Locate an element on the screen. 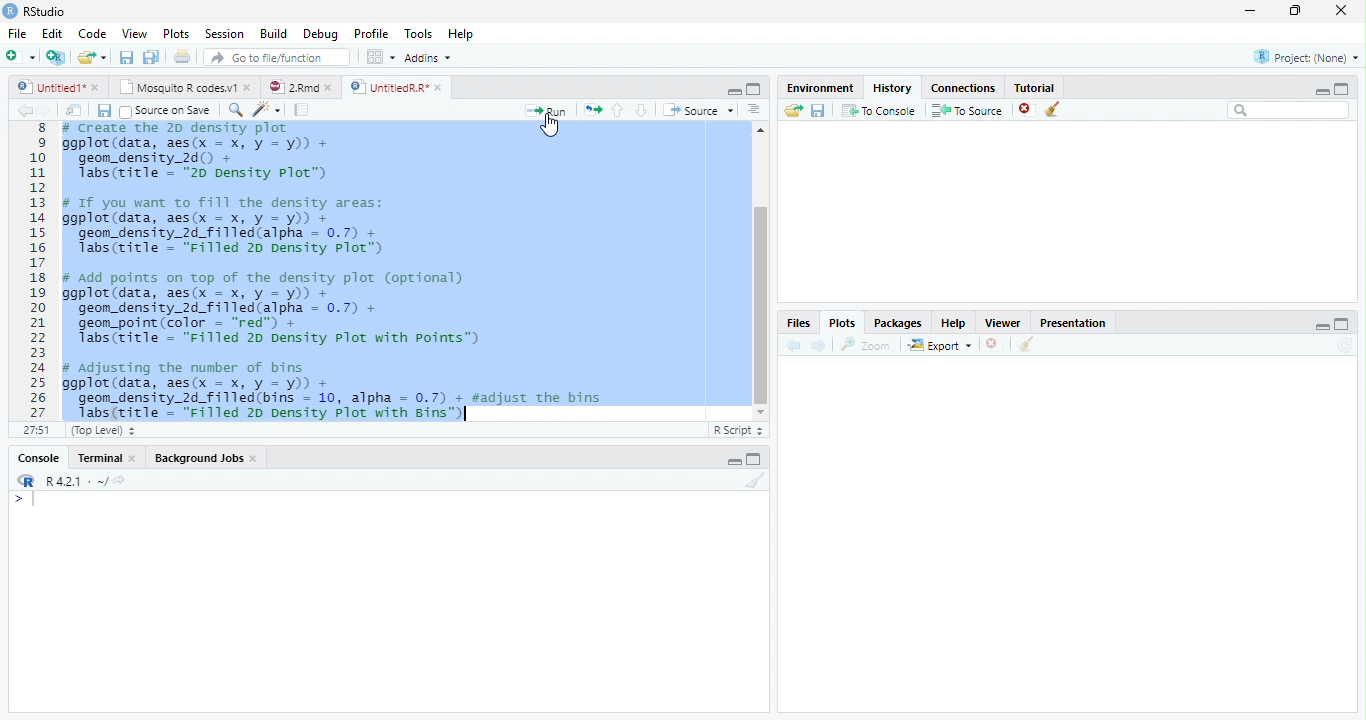  View is located at coordinates (134, 34).